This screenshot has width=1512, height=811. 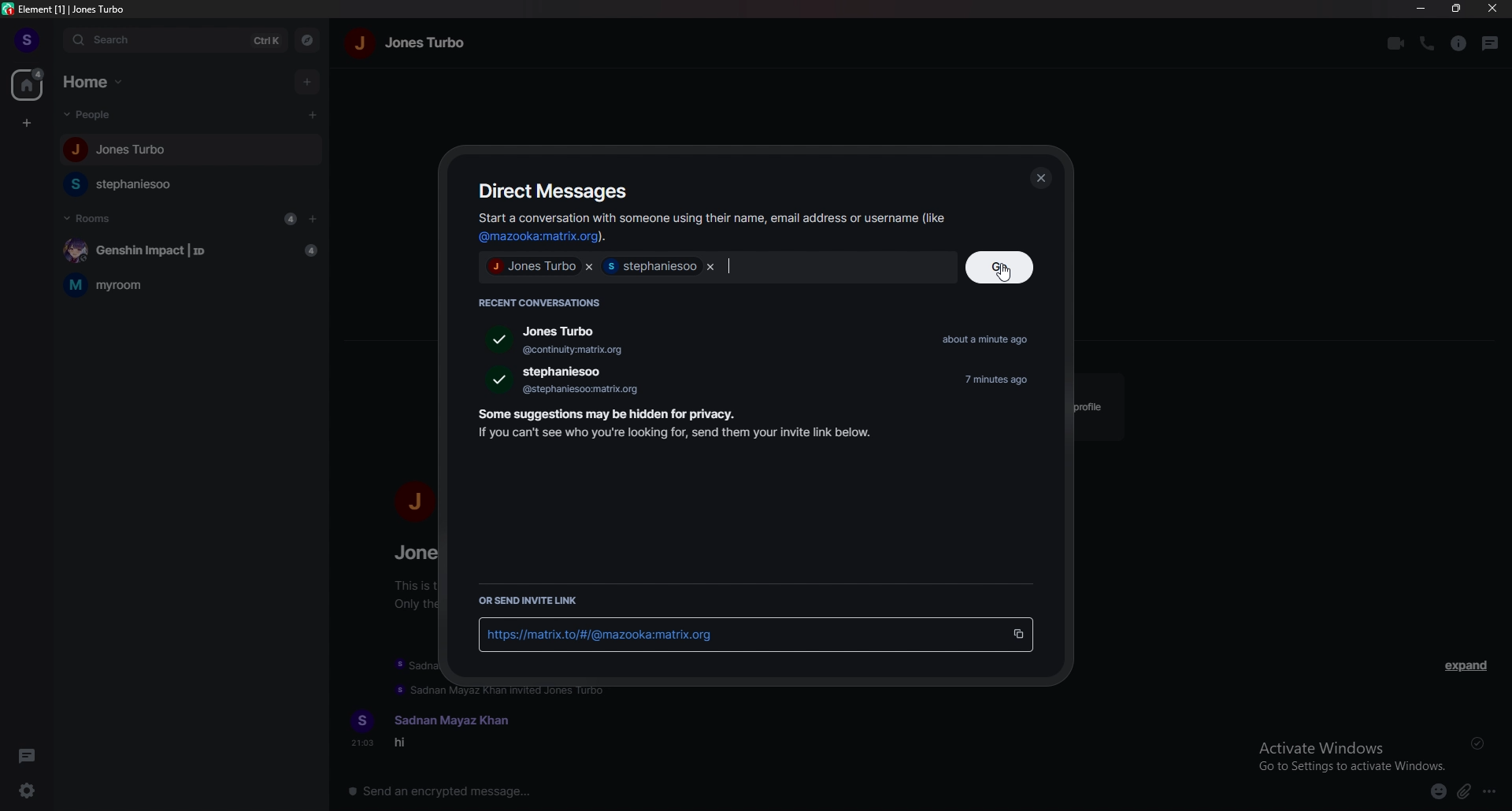 I want to click on Jones Turbo, so click(x=116, y=152).